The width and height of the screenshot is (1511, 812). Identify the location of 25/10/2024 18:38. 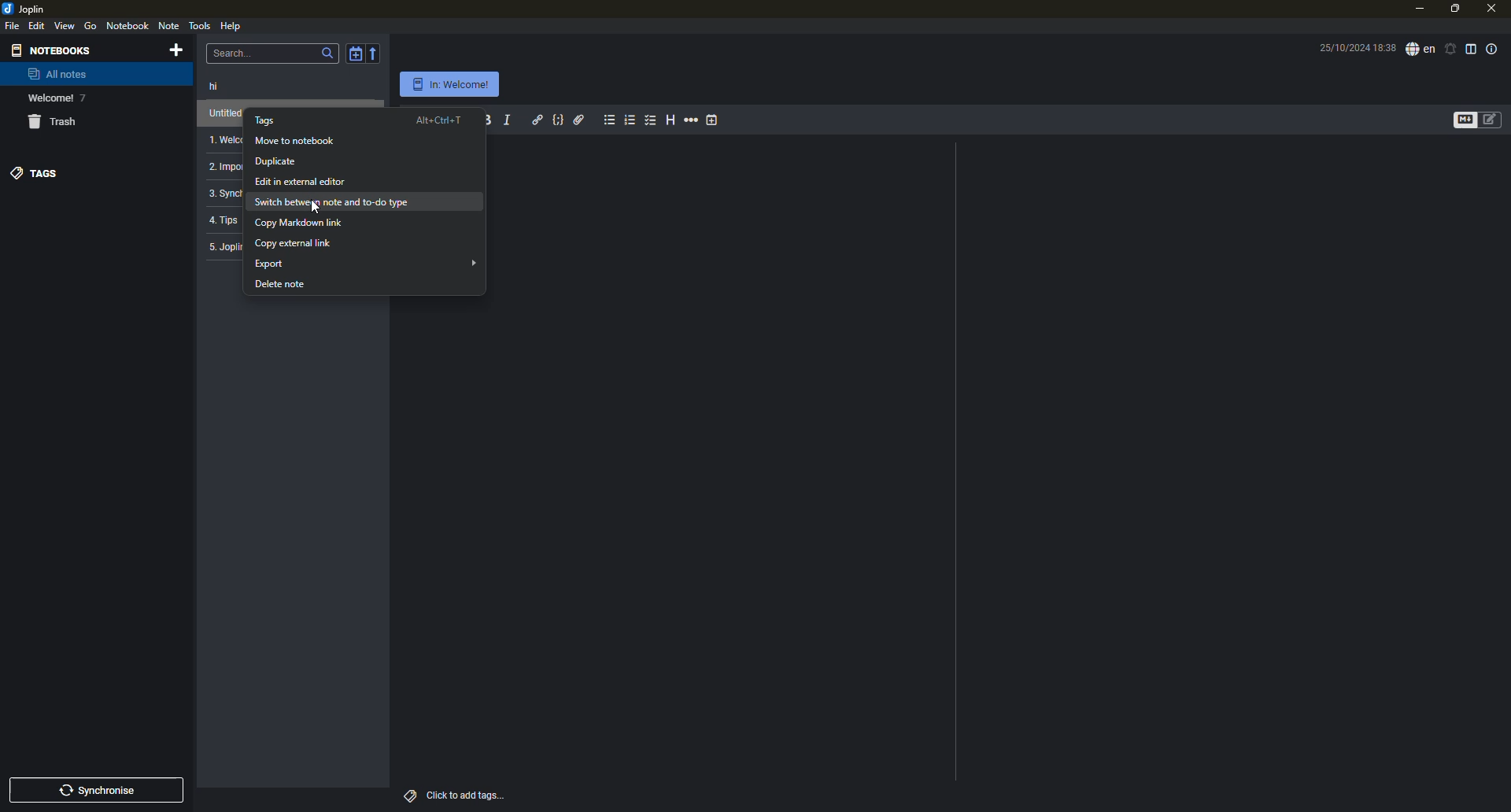
(1353, 49).